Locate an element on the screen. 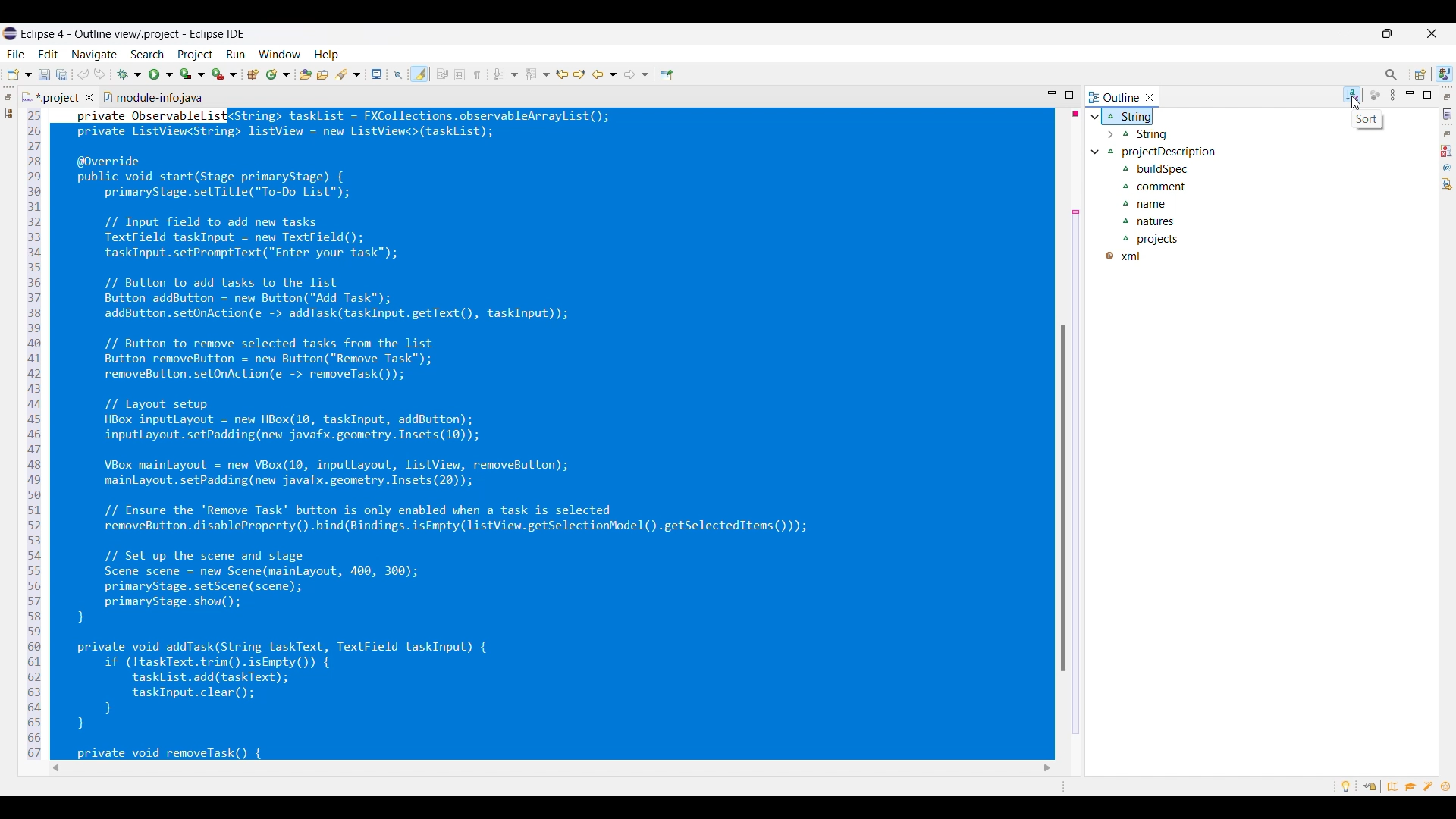  Close interface is located at coordinates (1432, 33).